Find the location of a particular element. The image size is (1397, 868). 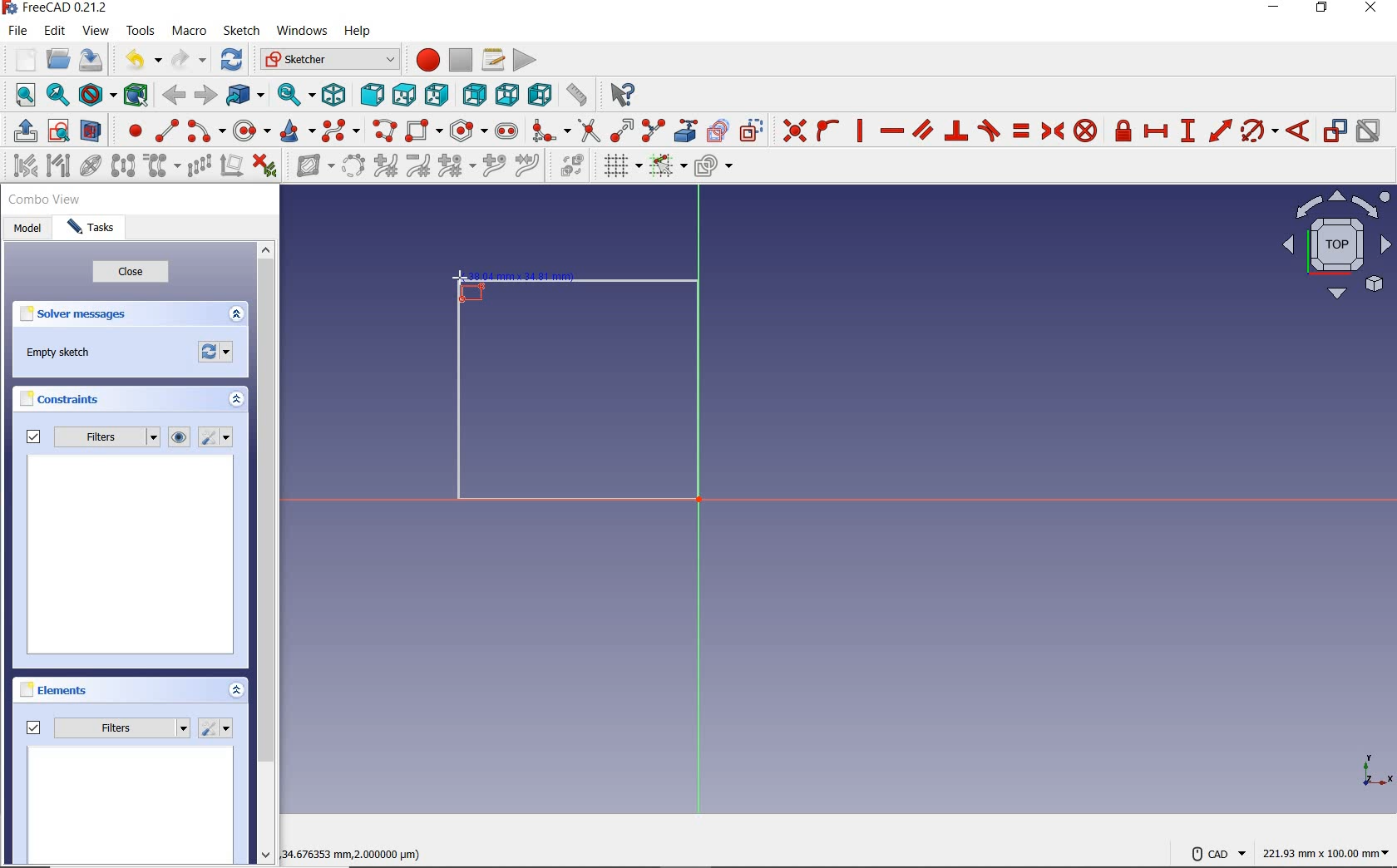

filters is located at coordinates (91, 438).